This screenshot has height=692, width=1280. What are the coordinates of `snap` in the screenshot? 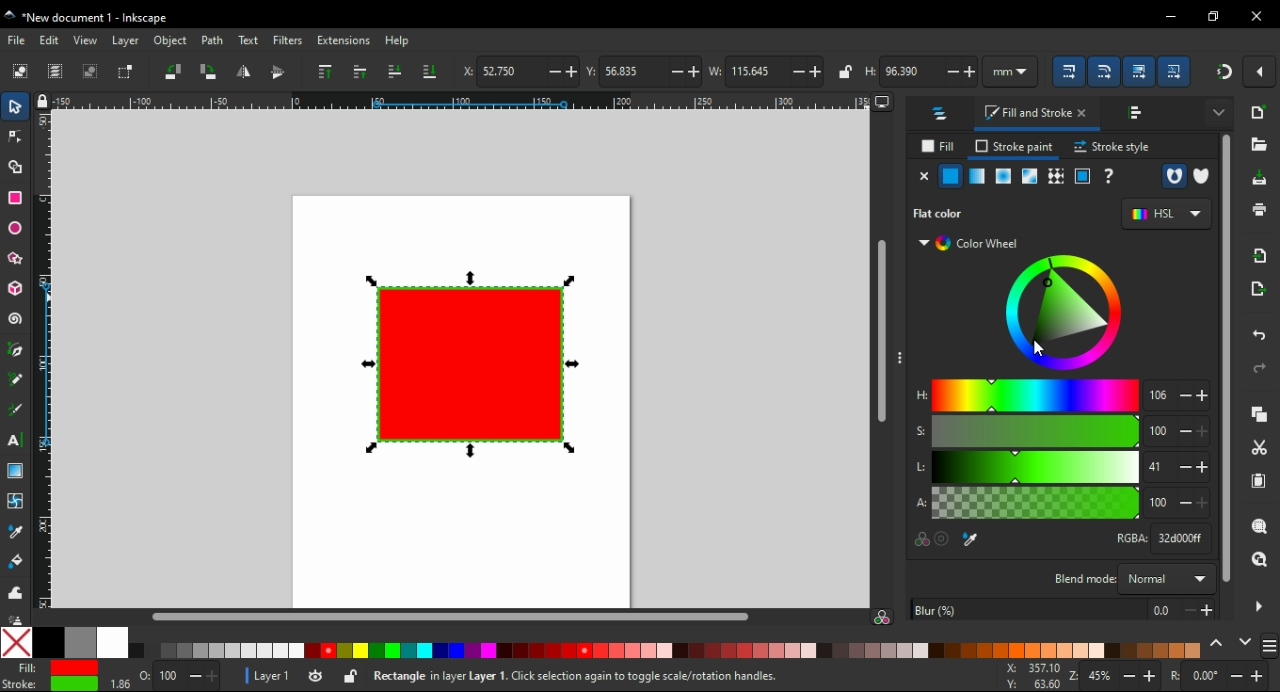 It's located at (1222, 74).